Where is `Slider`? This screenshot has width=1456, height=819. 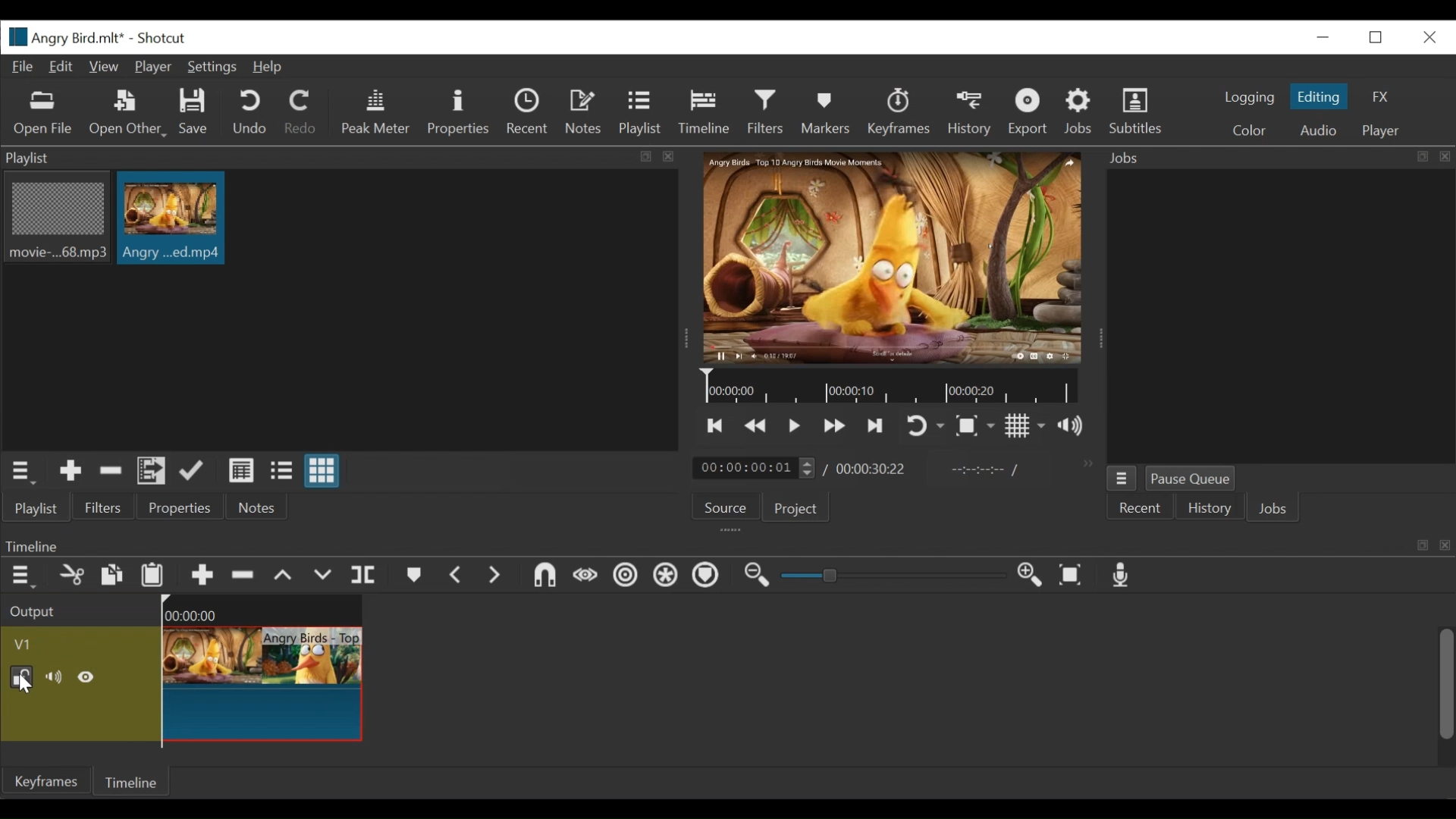
Slider is located at coordinates (897, 576).